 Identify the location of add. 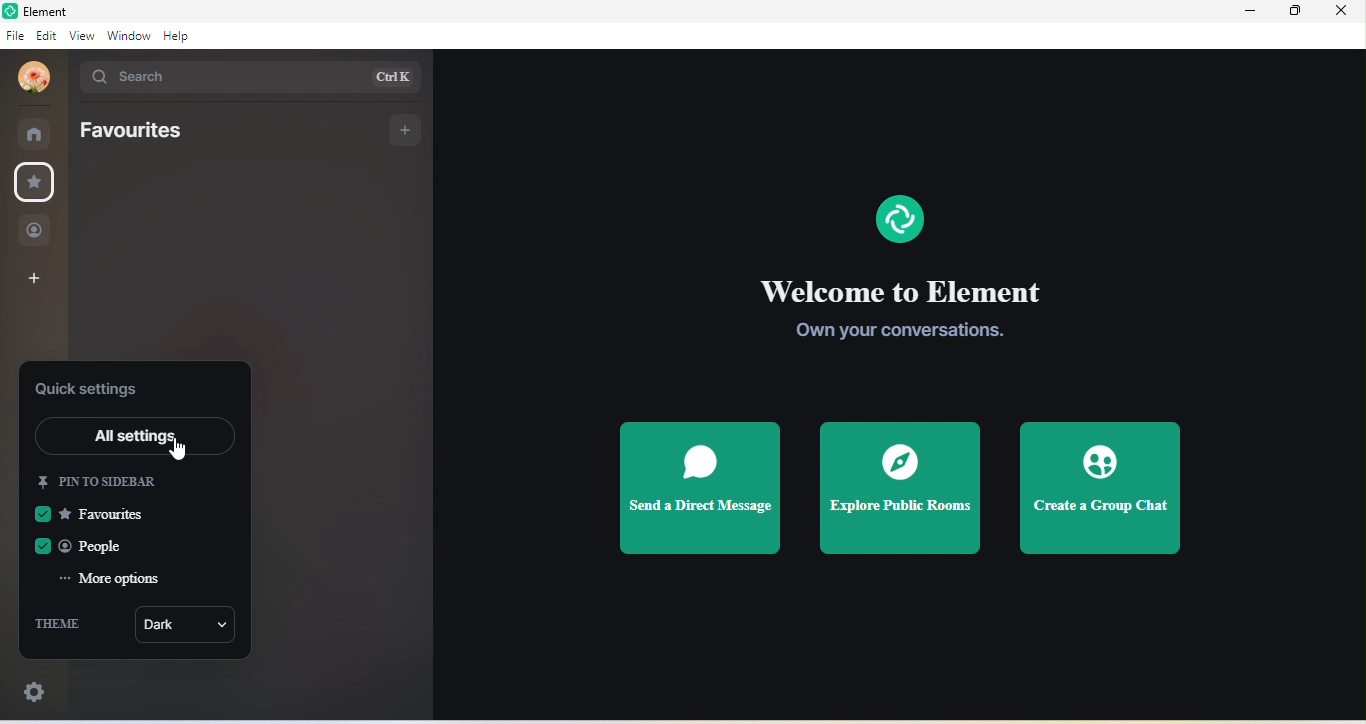
(409, 131).